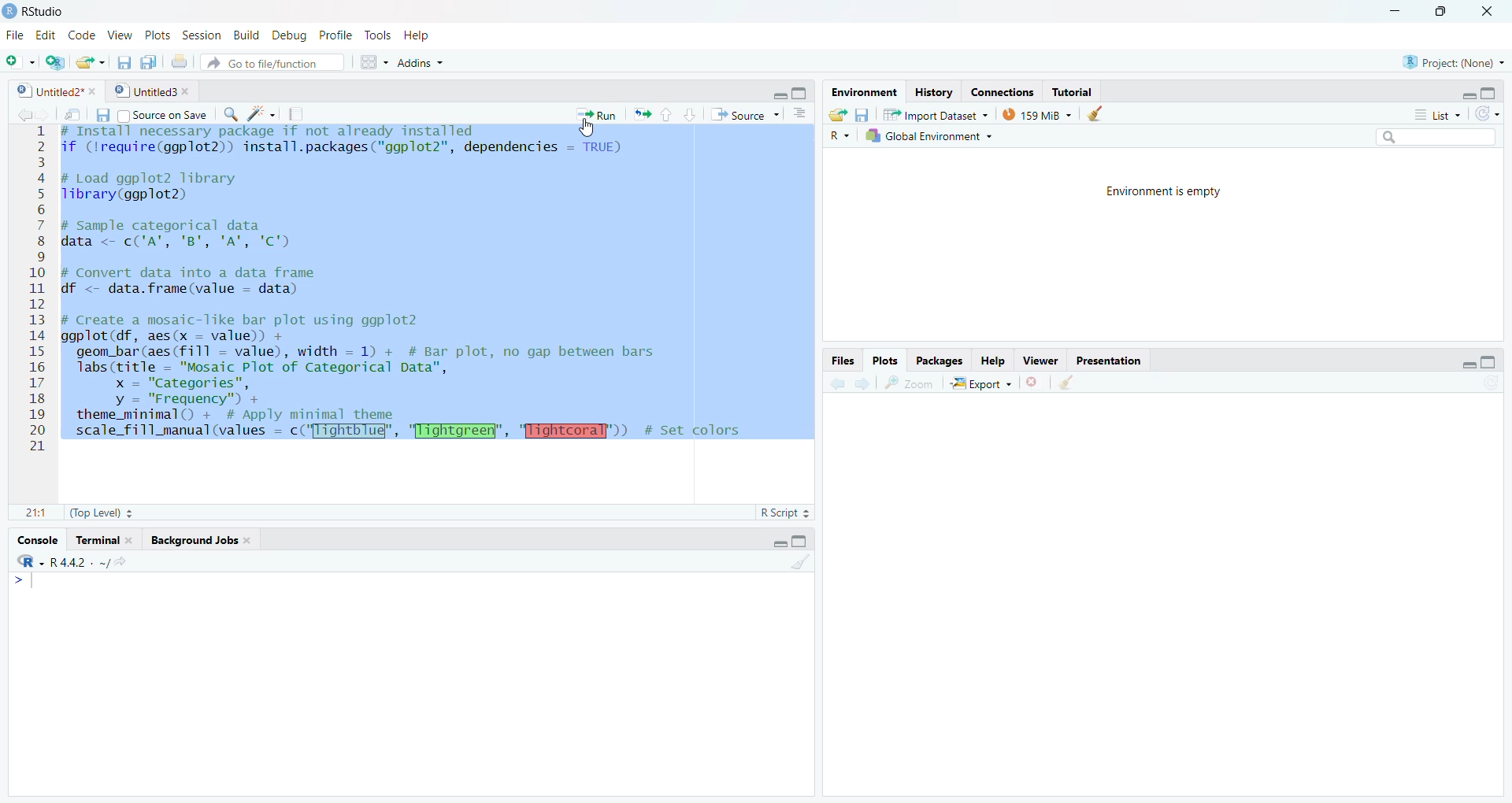  What do you see at coordinates (55, 62) in the screenshot?
I see `Create a project` at bounding box center [55, 62].